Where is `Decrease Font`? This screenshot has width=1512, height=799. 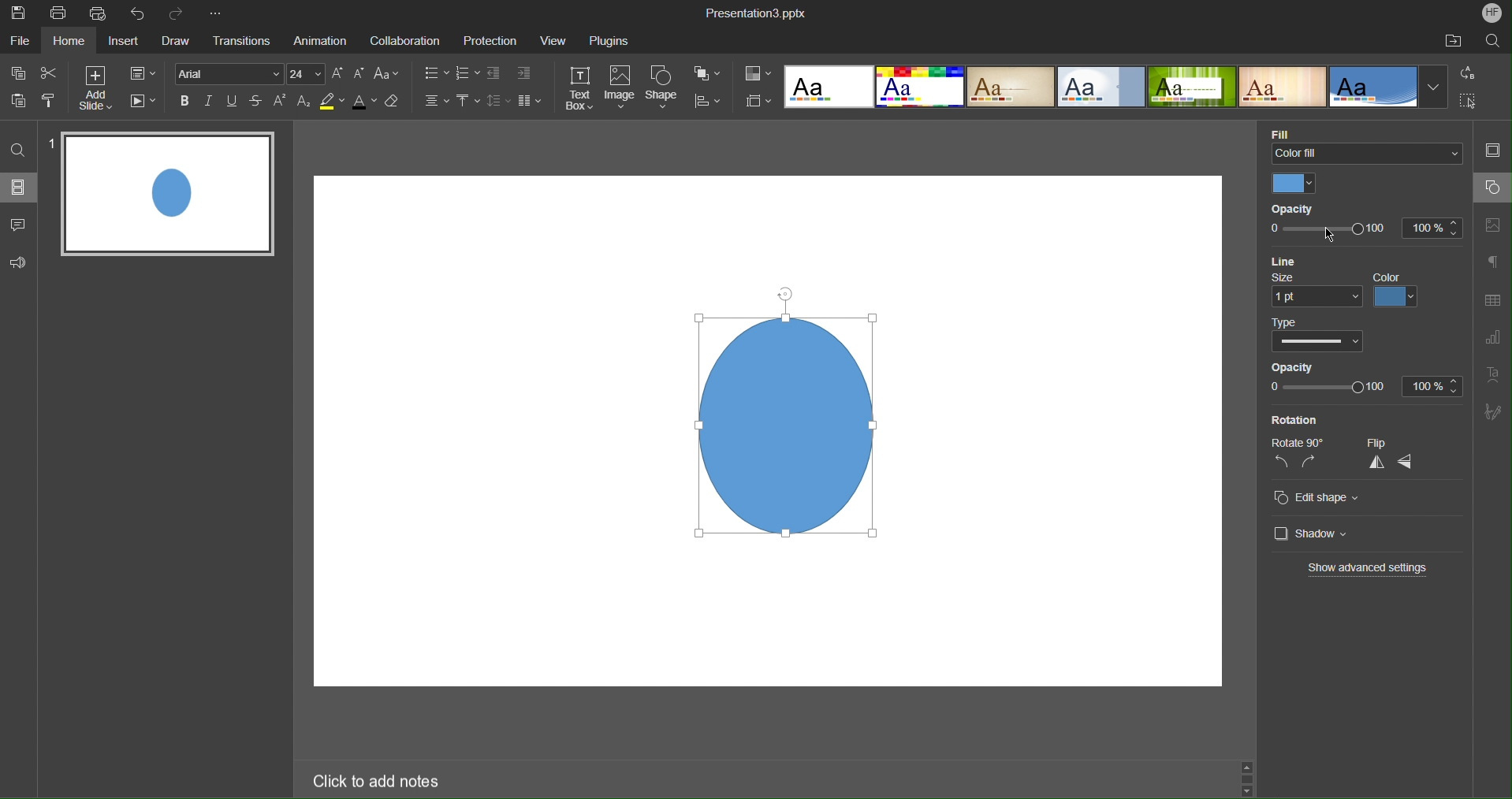
Decrease Font is located at coordinates (360, 74).